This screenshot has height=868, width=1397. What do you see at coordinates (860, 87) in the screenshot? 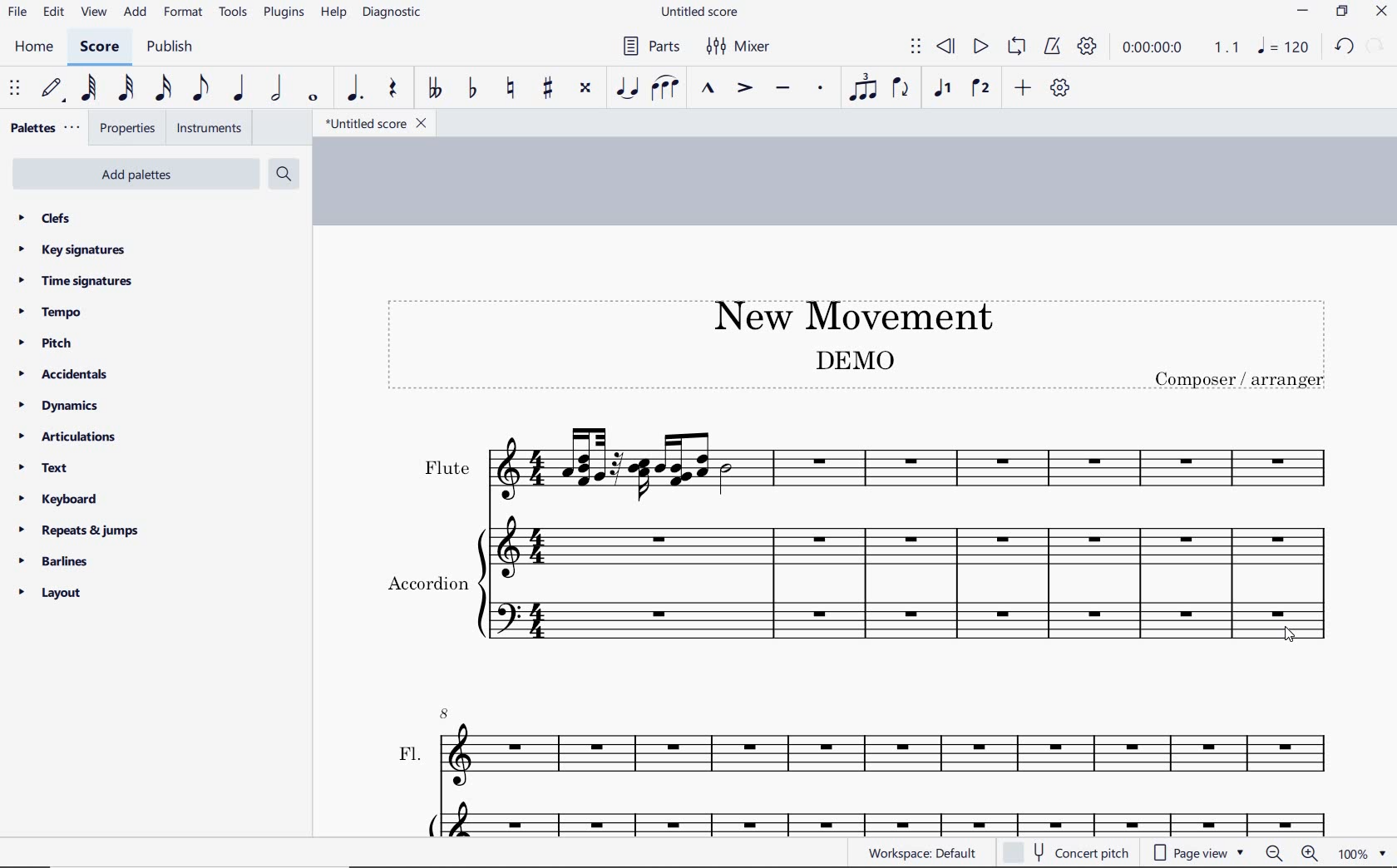
I see `tuplet` at bounding box center [860, 87].